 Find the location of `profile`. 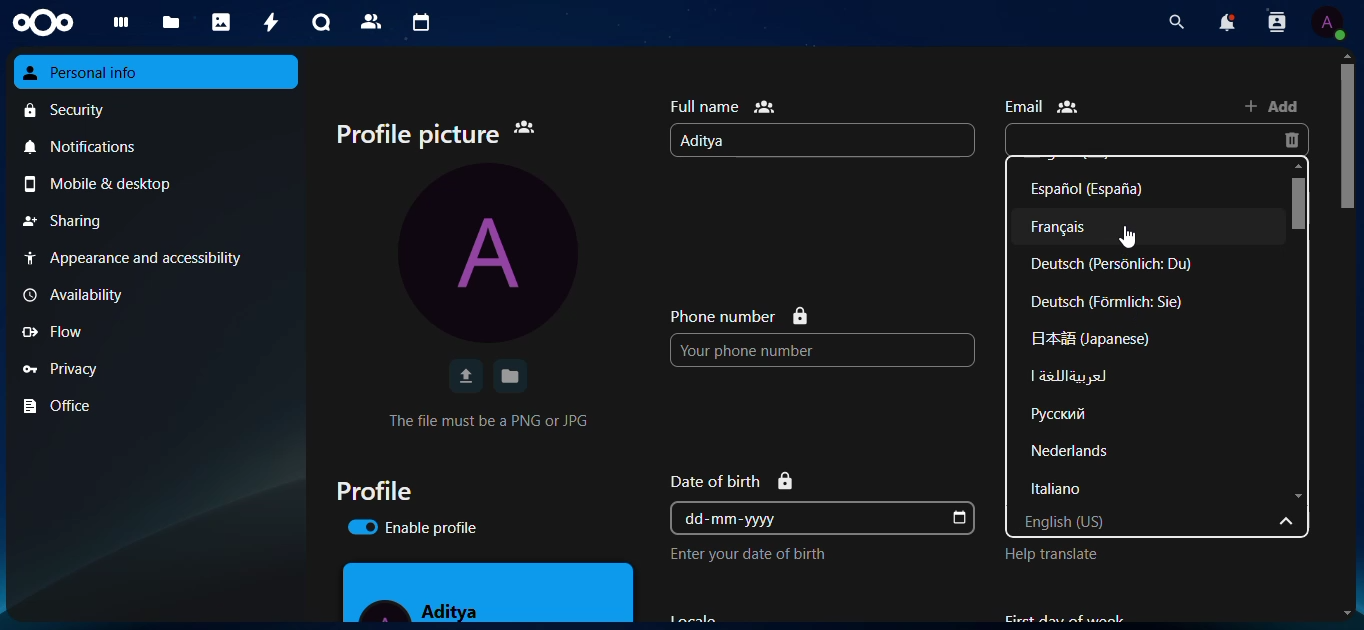

profile is located at coordinates (496, 255).